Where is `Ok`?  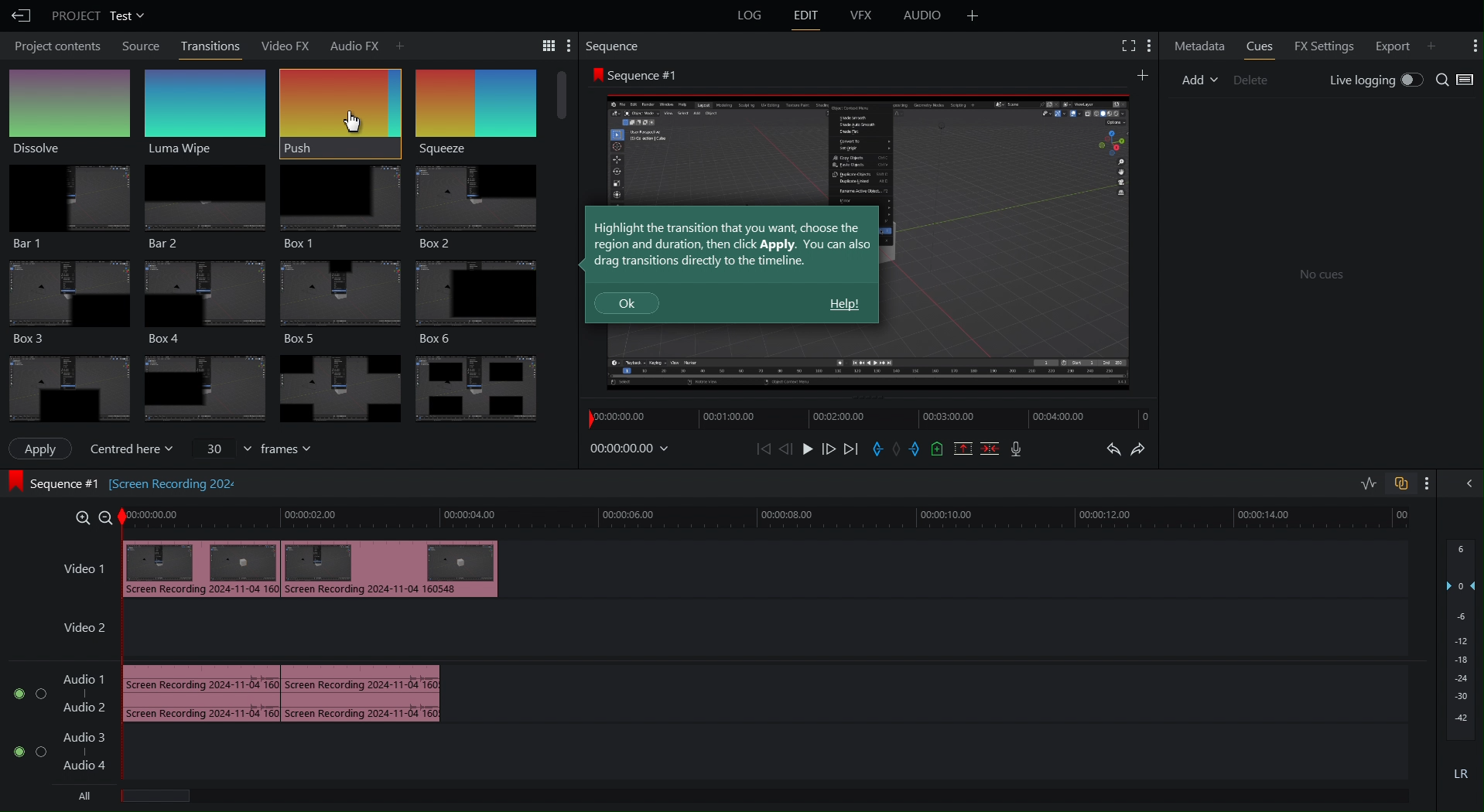
Ok is located at coordinates (627, 304).